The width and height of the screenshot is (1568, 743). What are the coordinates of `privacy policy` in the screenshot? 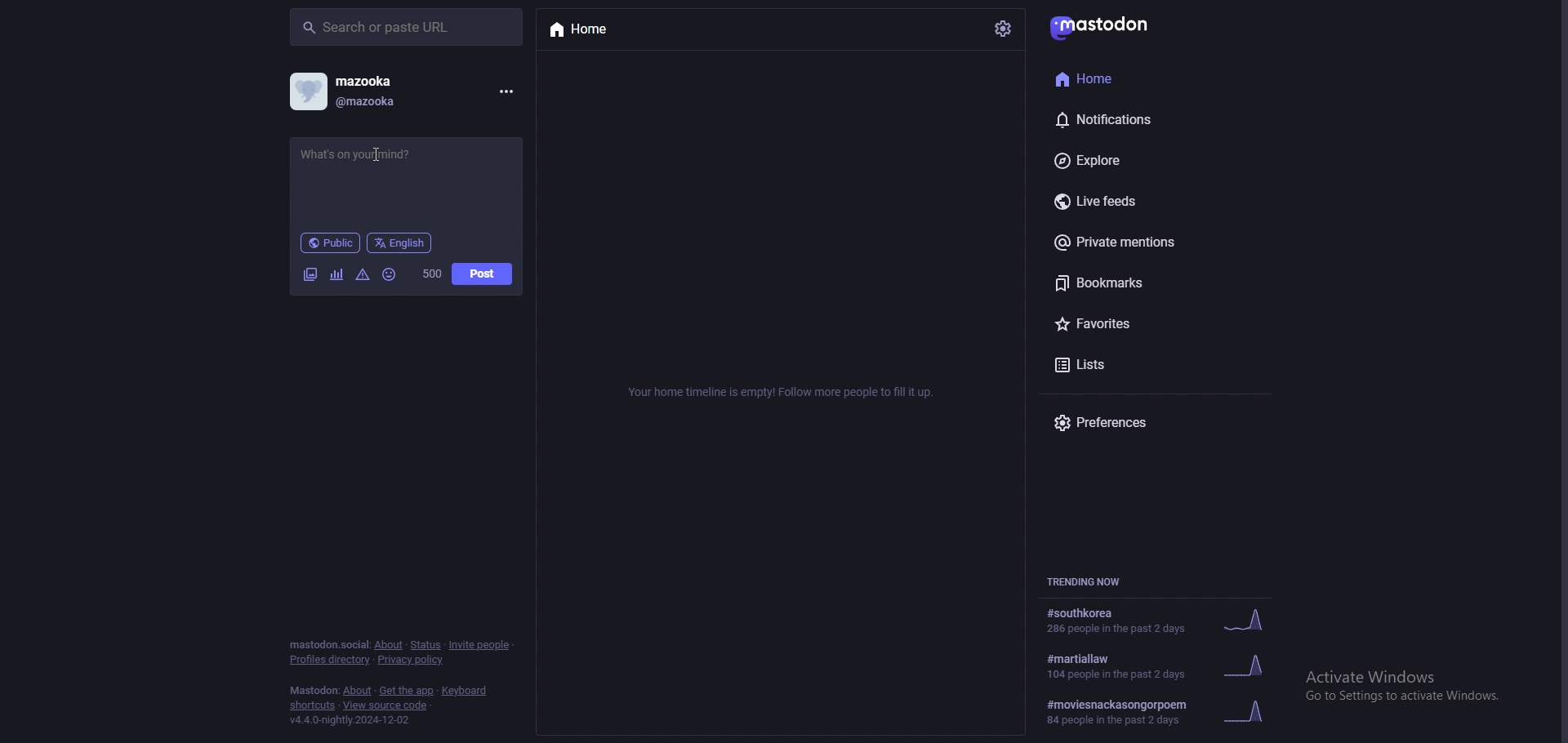 It's located at (409, 660).